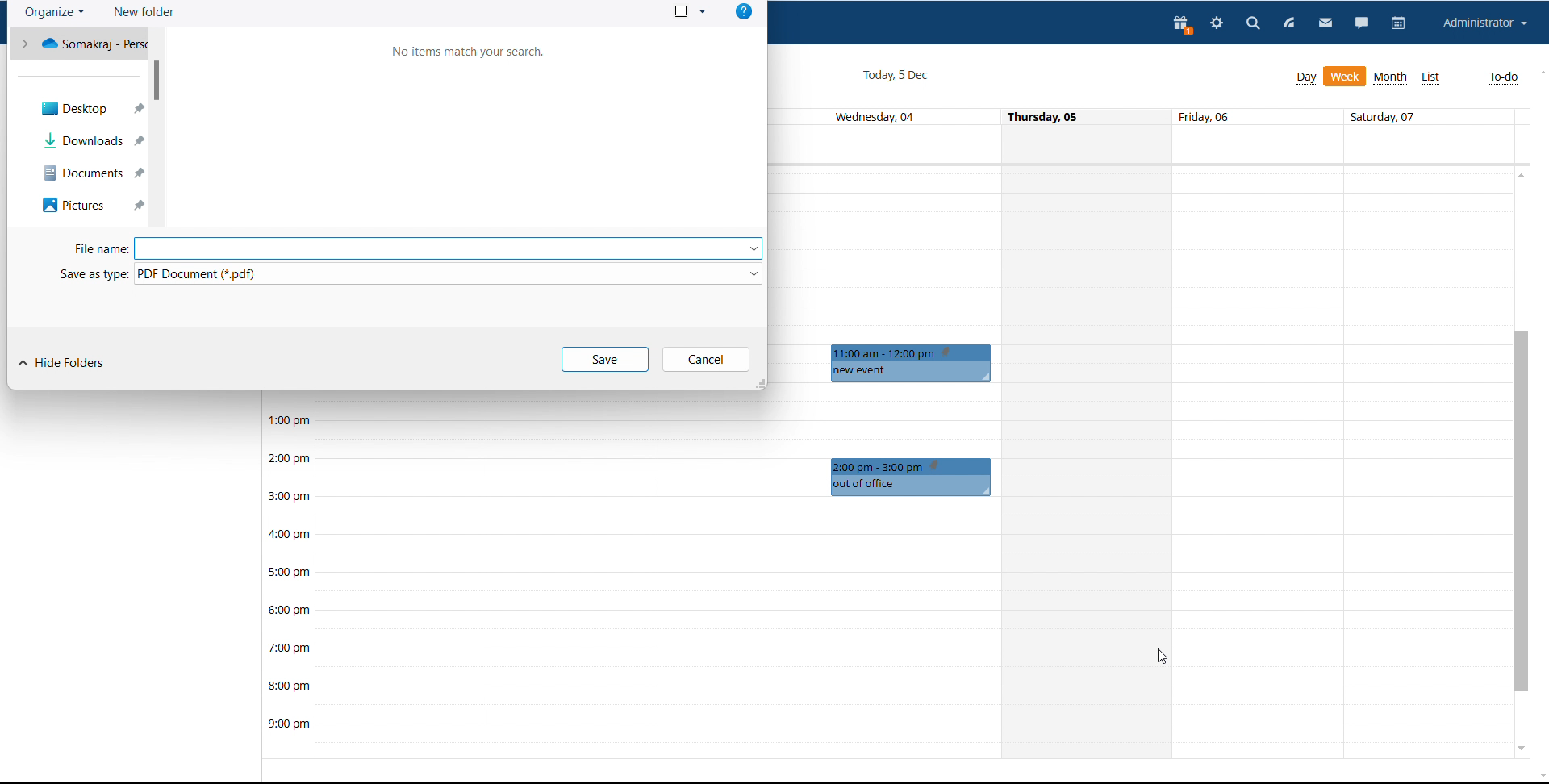  What do you see at coordinates (1486, 23) in the screenshot?
I see `account` at bounding box center [1486, 23].